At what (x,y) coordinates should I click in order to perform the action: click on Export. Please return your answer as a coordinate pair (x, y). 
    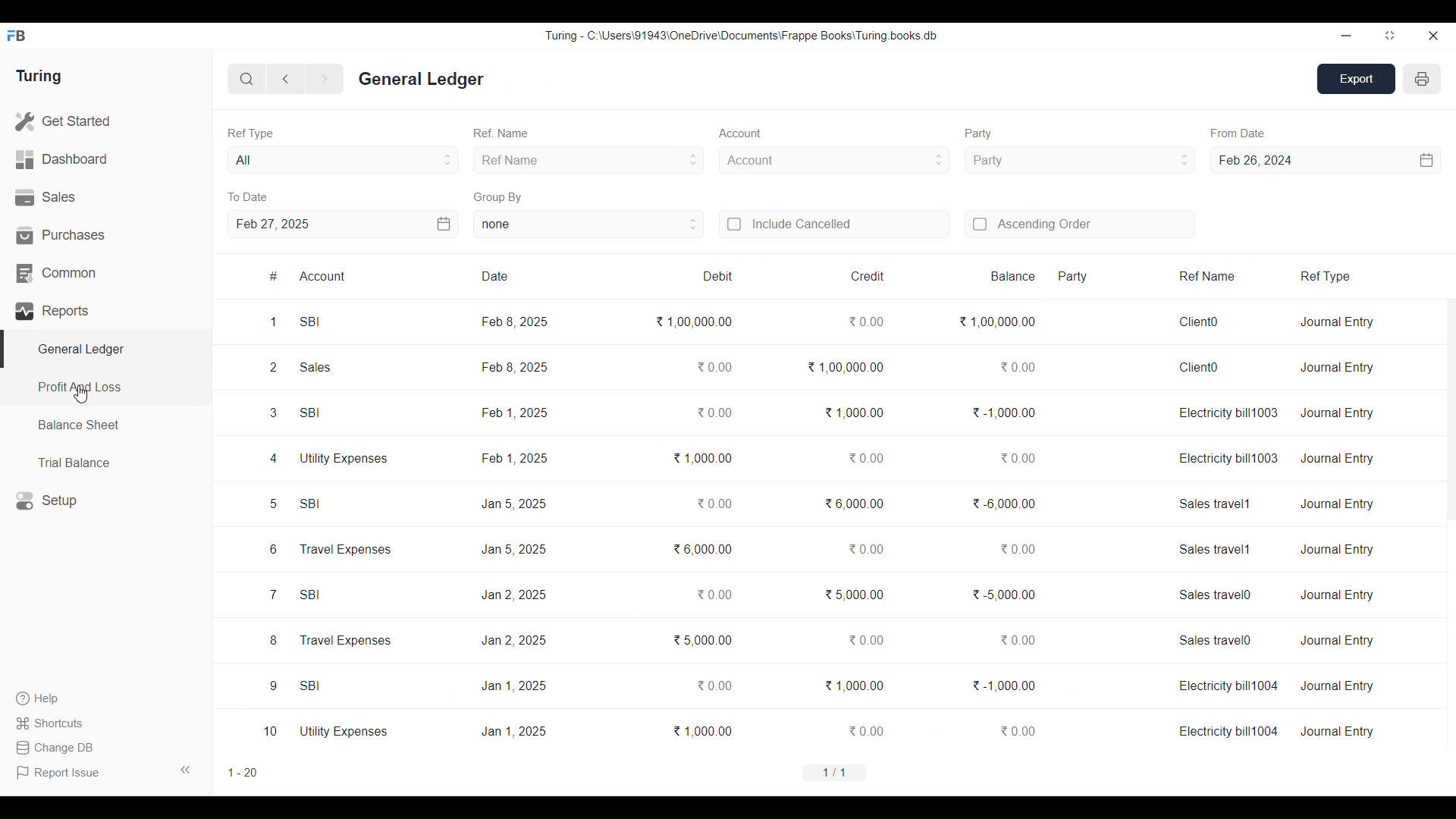
    Looking at the image, I should click on (1357, 79).